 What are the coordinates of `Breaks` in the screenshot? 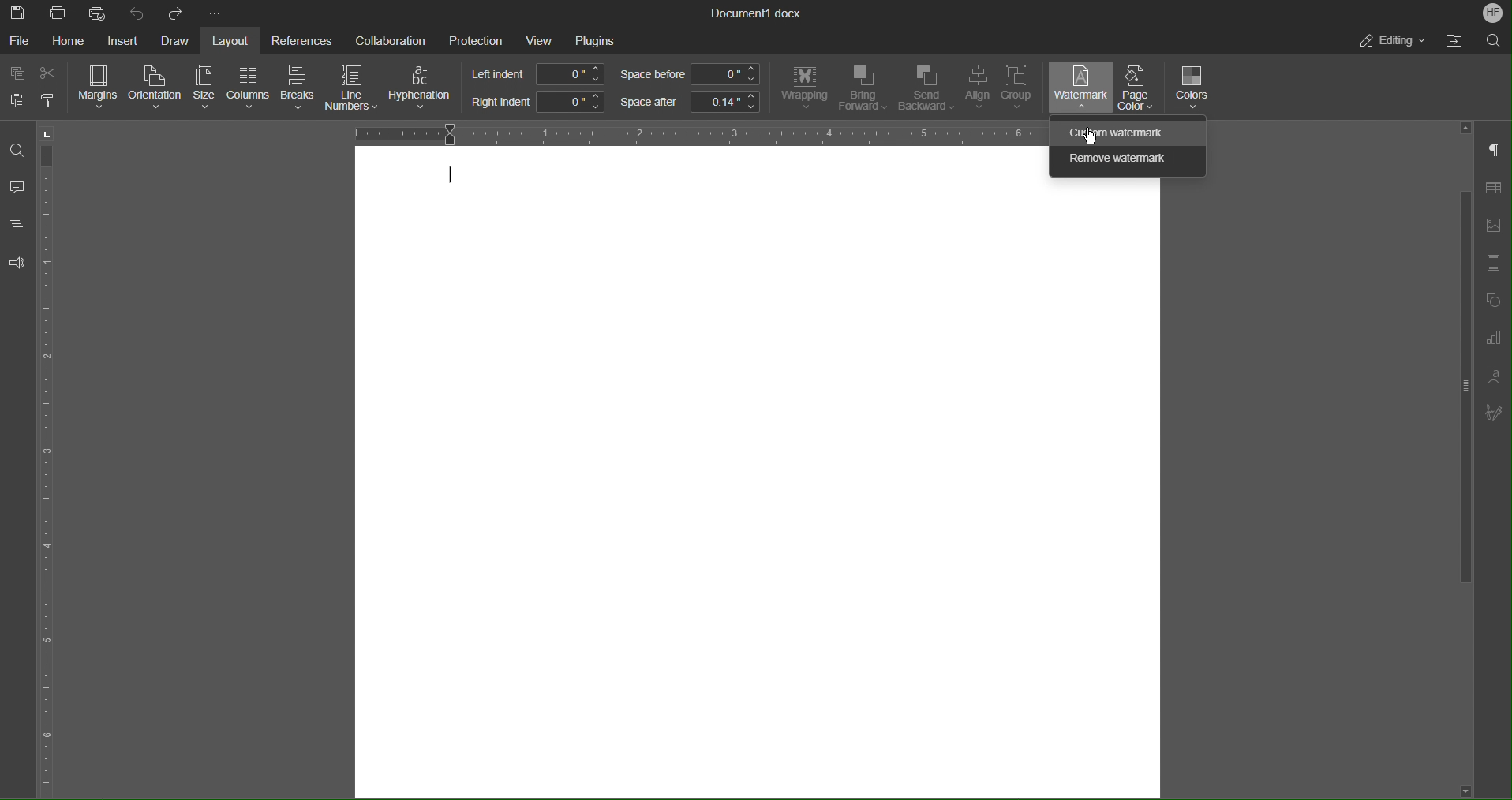 It's located at (298, 89).